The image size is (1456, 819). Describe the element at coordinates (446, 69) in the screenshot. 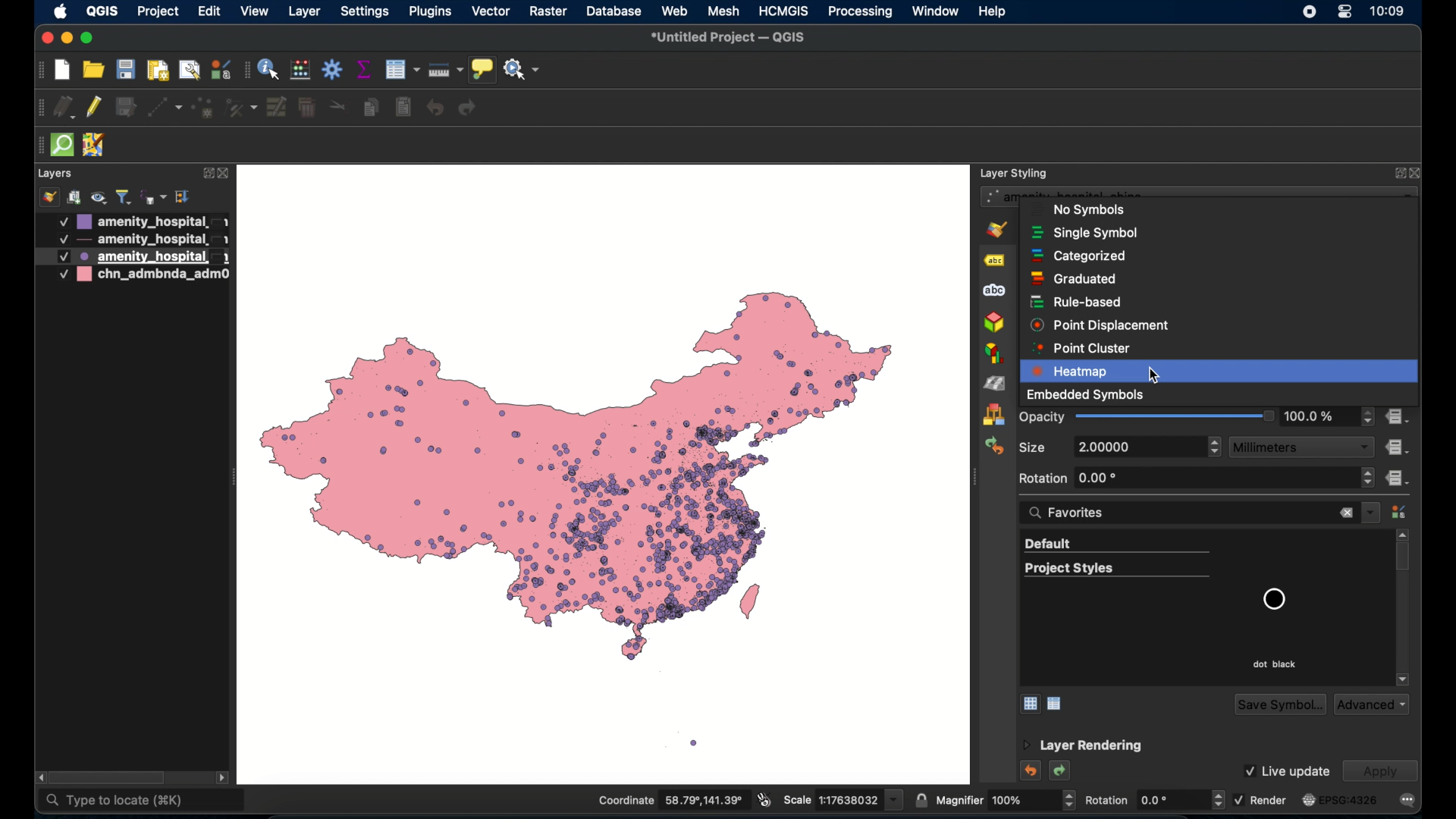

I see `measure line` at that location.